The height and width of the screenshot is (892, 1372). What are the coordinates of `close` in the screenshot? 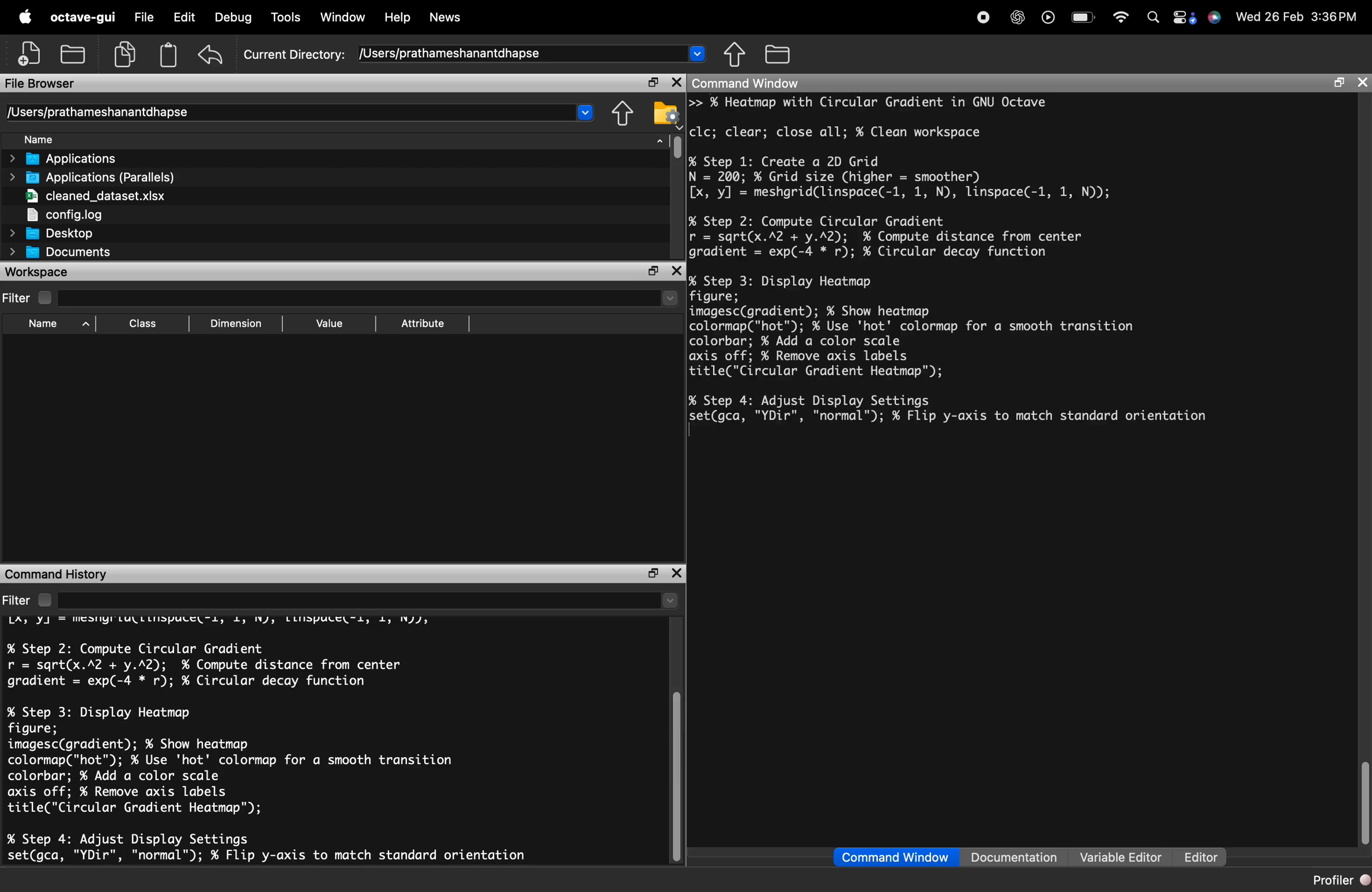 It's located at (677, 573).